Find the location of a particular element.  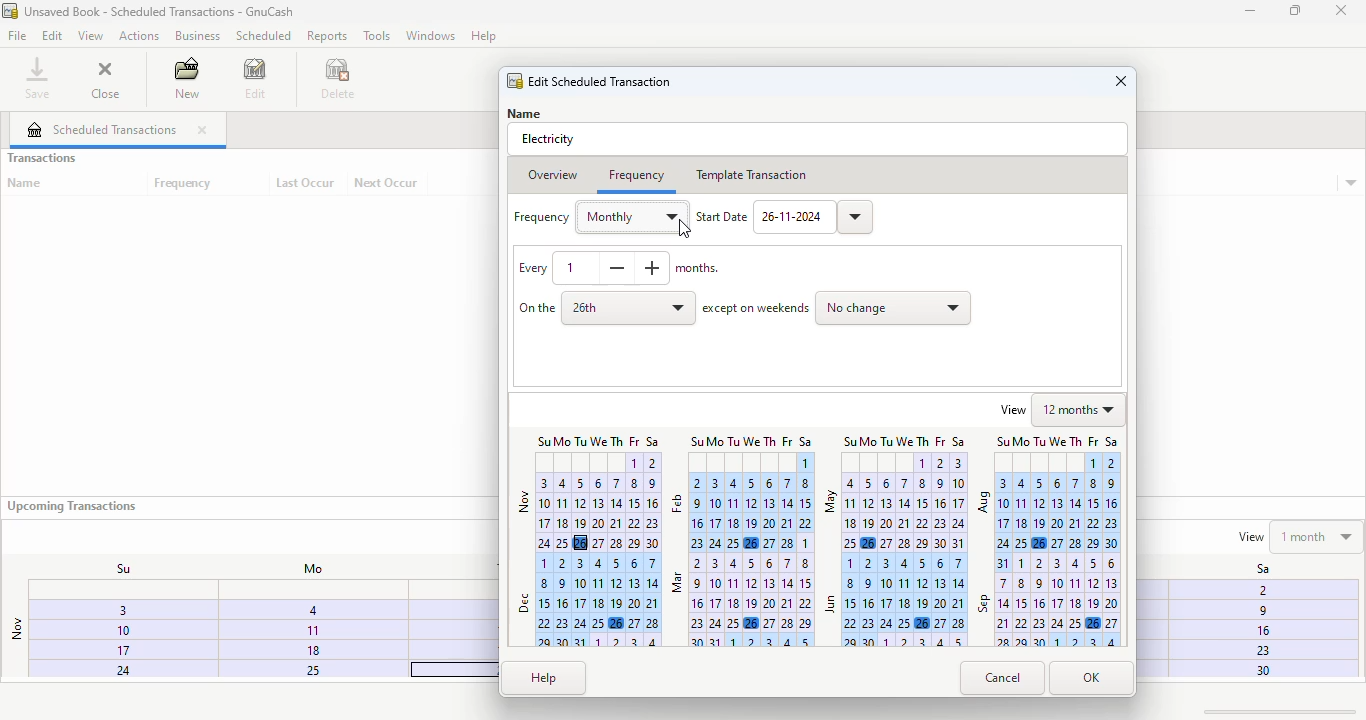

Mo is located at coordinates (307, 569).